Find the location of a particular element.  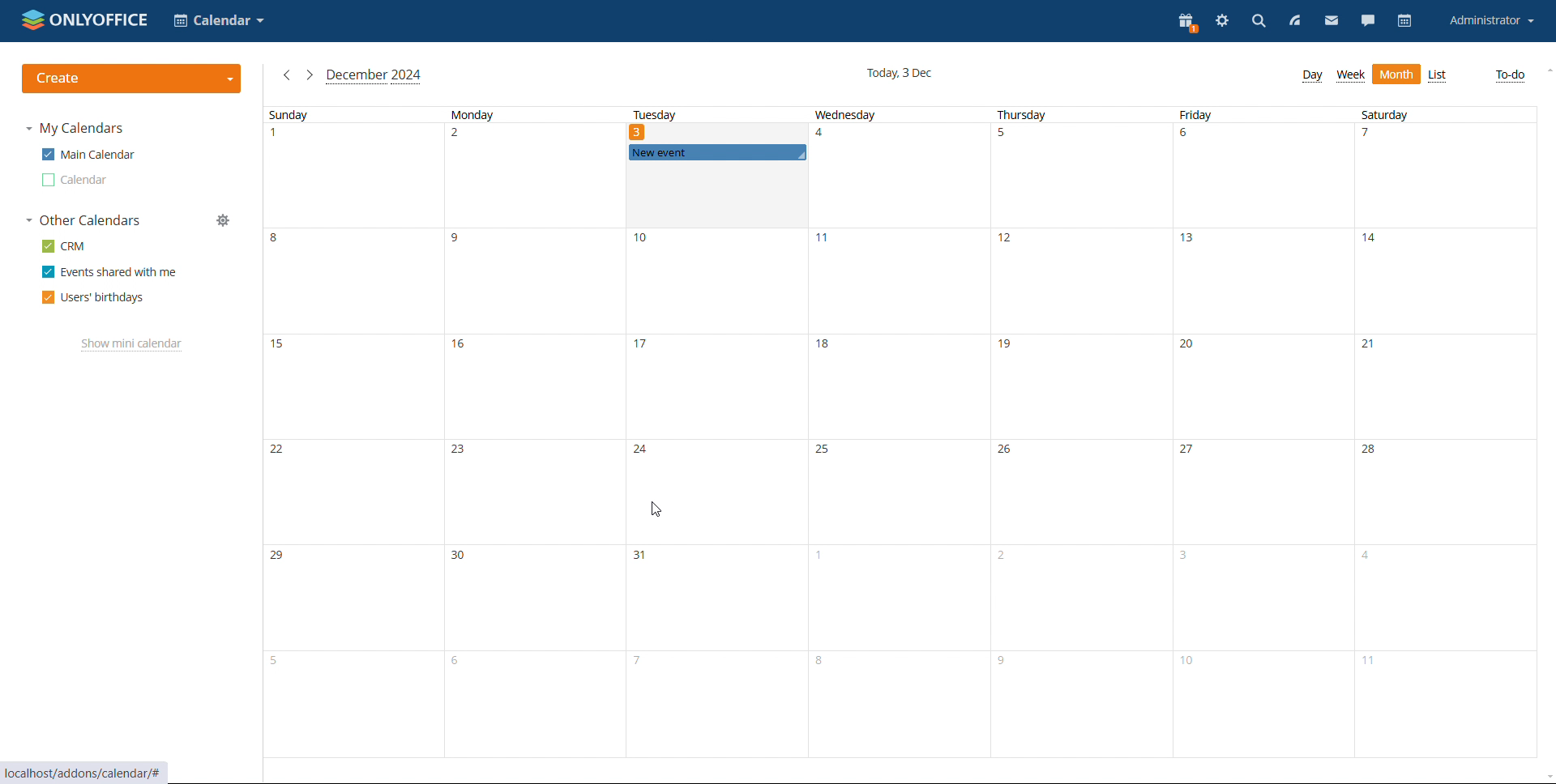

date is located at coordinates (349, 596).